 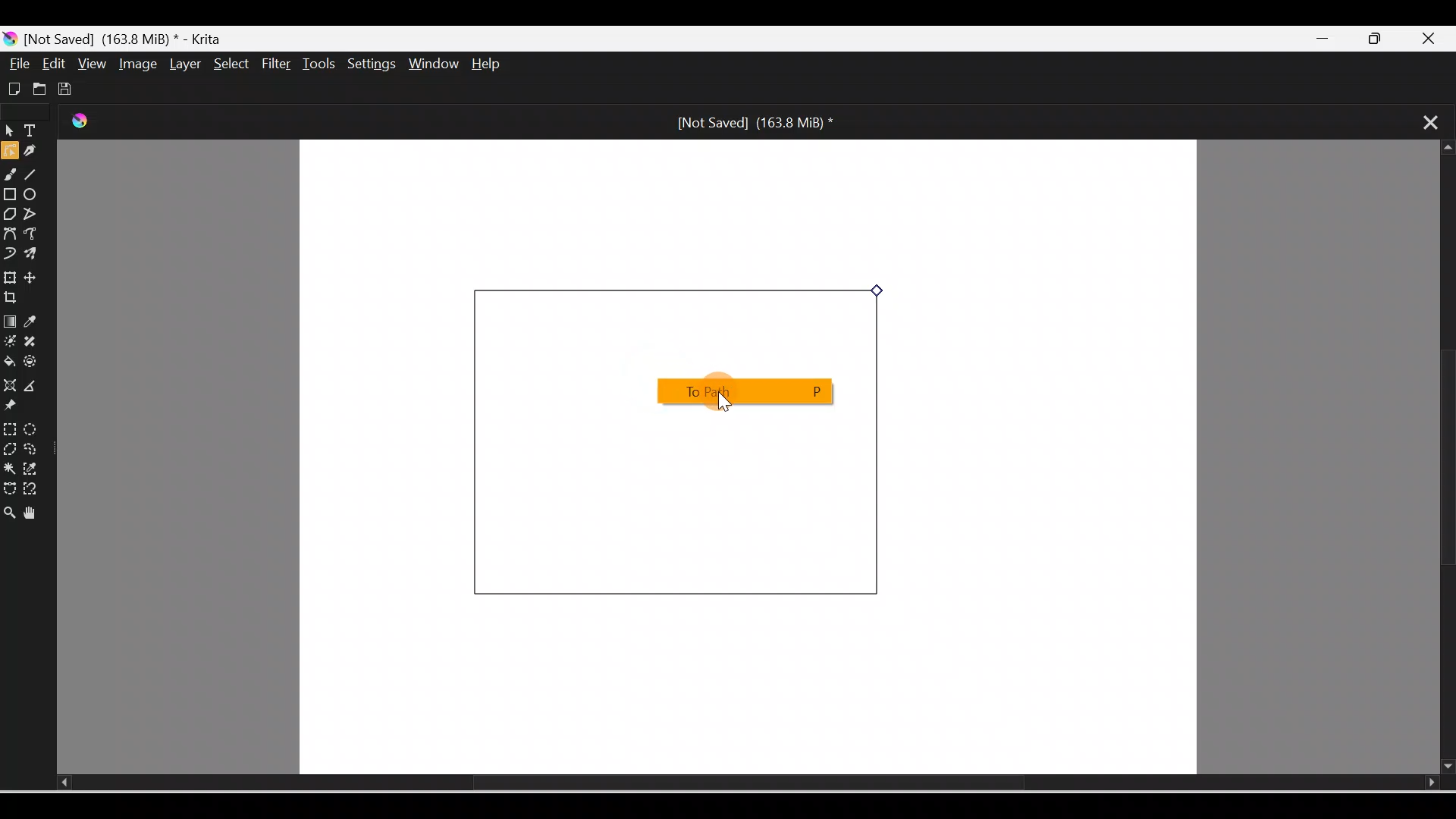 I want to click on Filter, so click(x=277, y=64).